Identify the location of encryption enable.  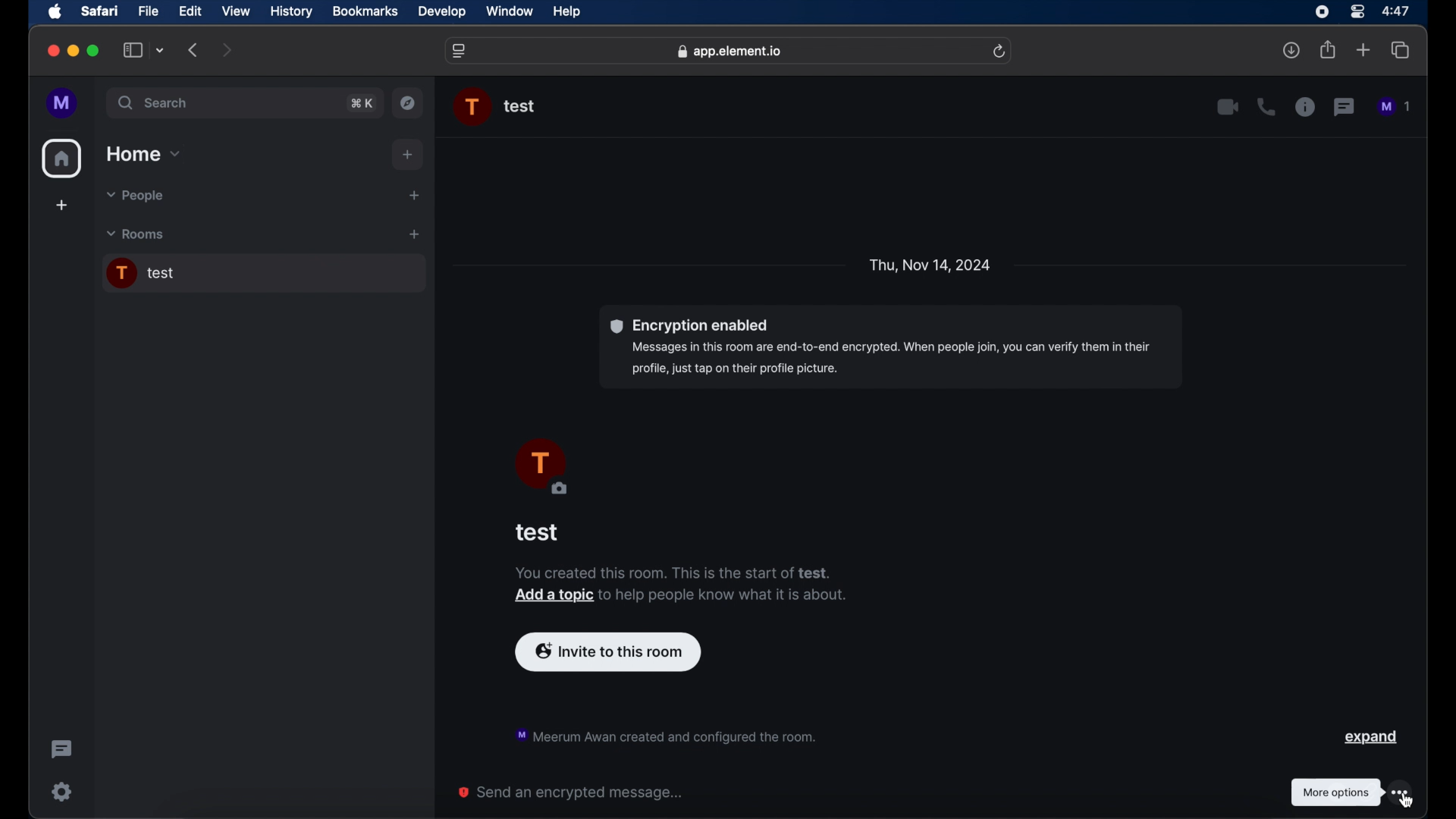
(891, 347).